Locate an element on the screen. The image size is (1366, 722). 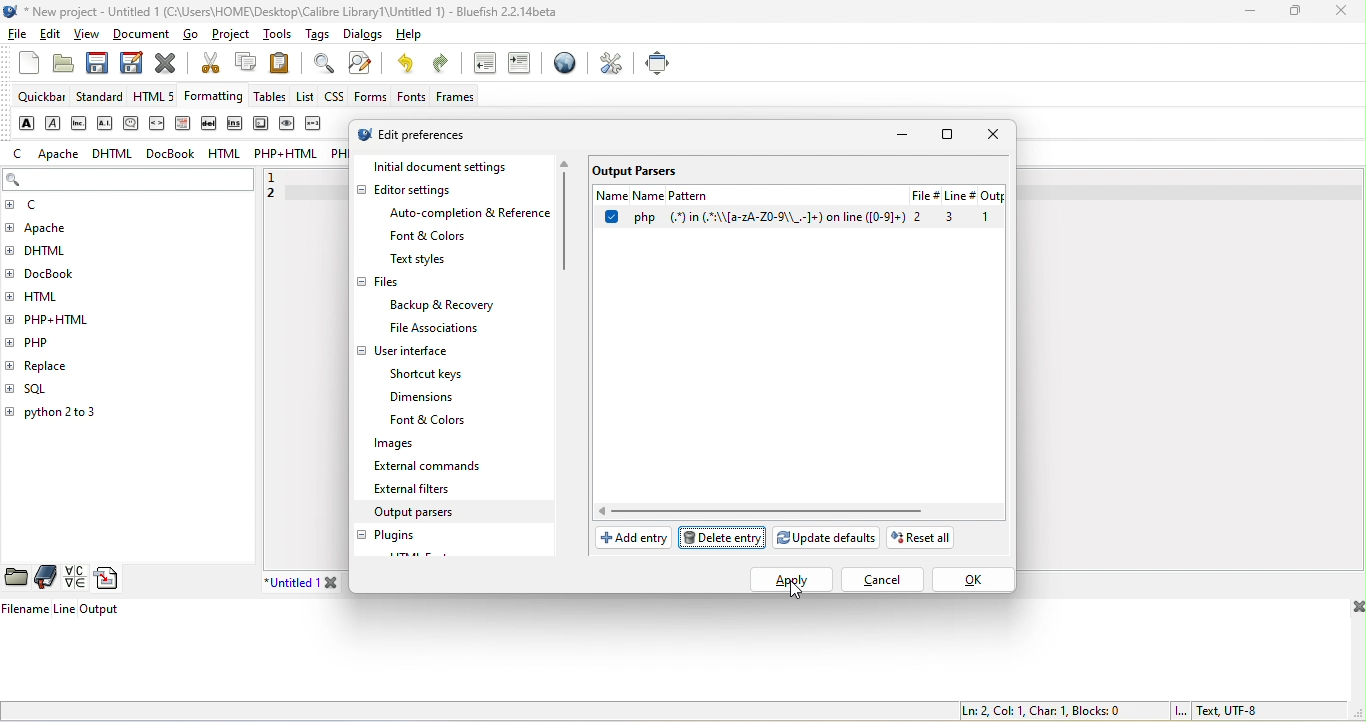
bookmarks is located at coordinates (47, 577).